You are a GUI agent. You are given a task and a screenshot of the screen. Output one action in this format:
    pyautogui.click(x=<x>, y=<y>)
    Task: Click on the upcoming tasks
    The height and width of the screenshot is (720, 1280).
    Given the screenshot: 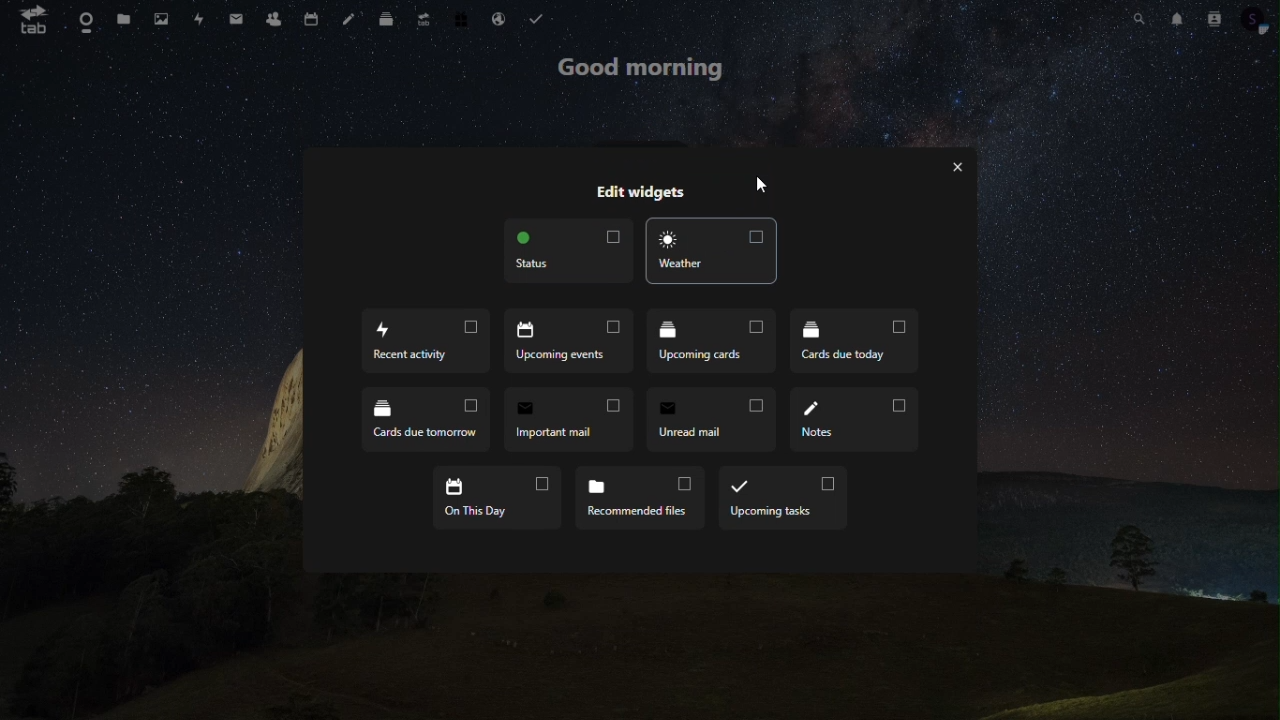 What is the action you would take?
    pyautogui.click(x=784, y=498)
    